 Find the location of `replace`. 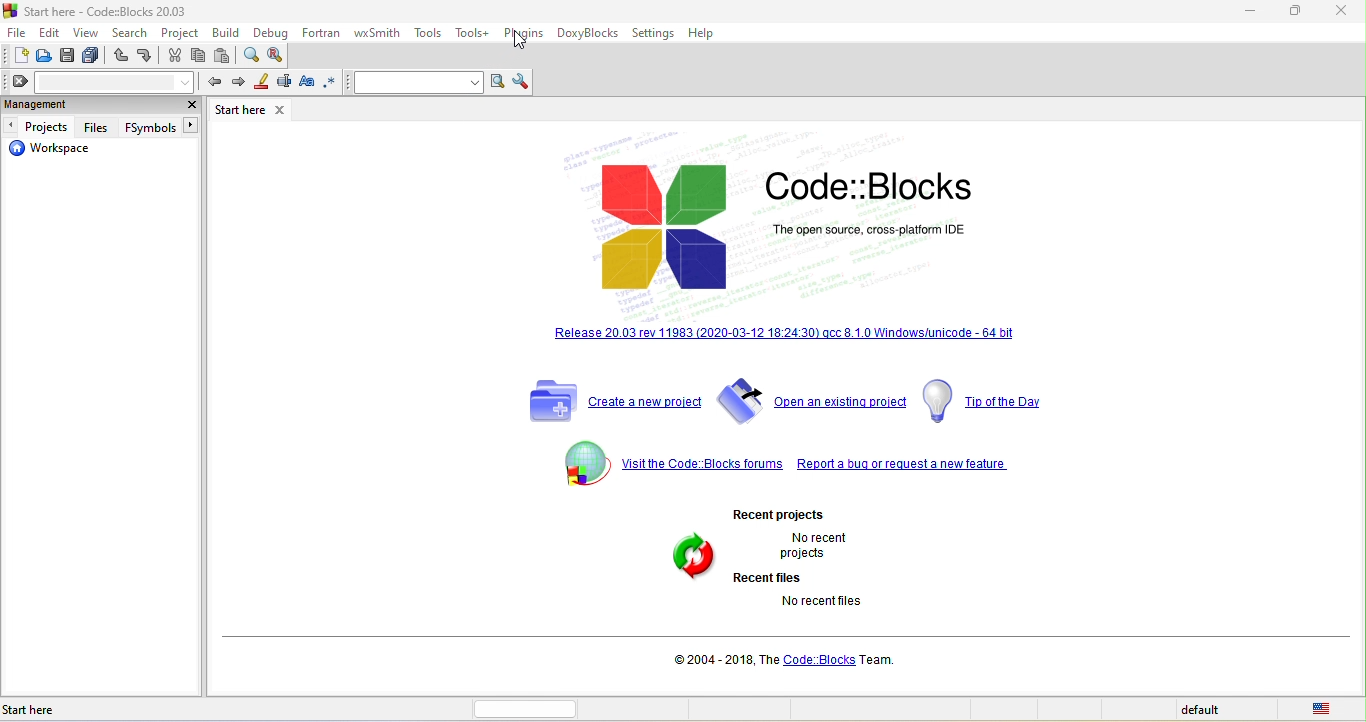

replace is located at coordinates (278, 54).